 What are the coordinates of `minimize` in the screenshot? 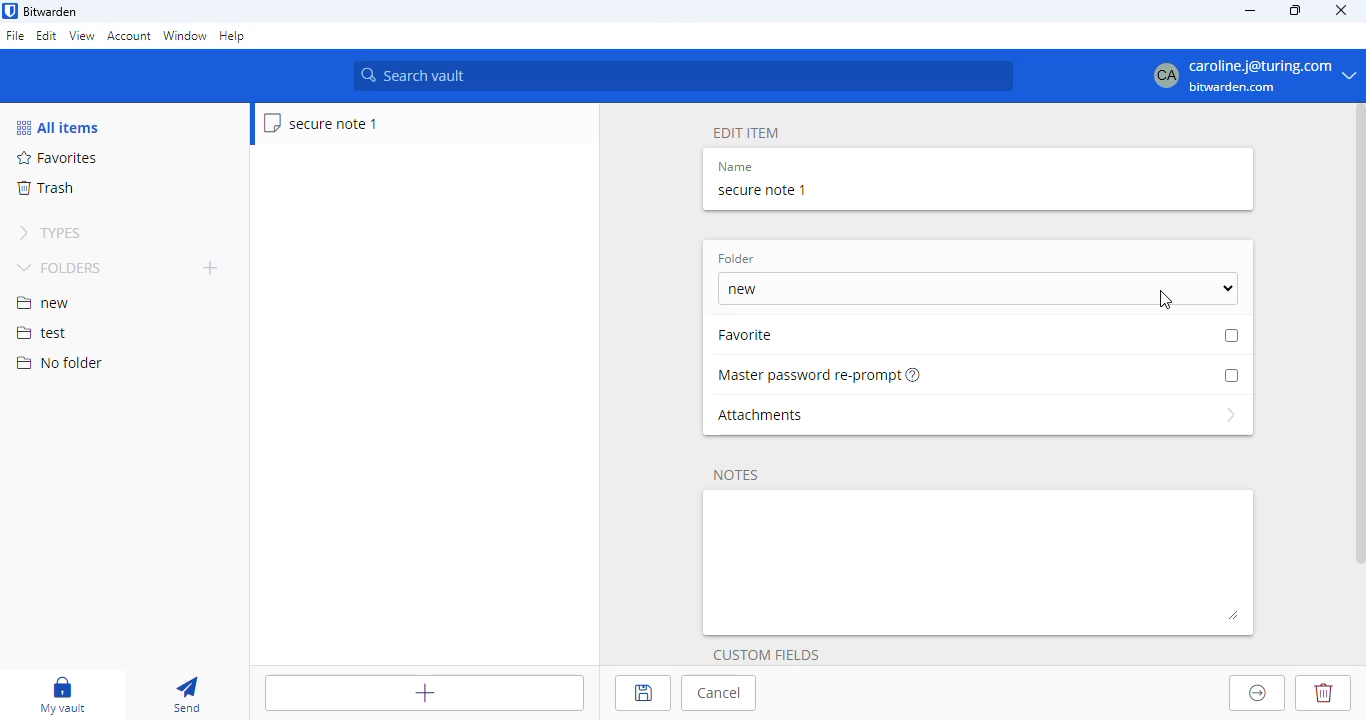 It's located at (1249, 10).